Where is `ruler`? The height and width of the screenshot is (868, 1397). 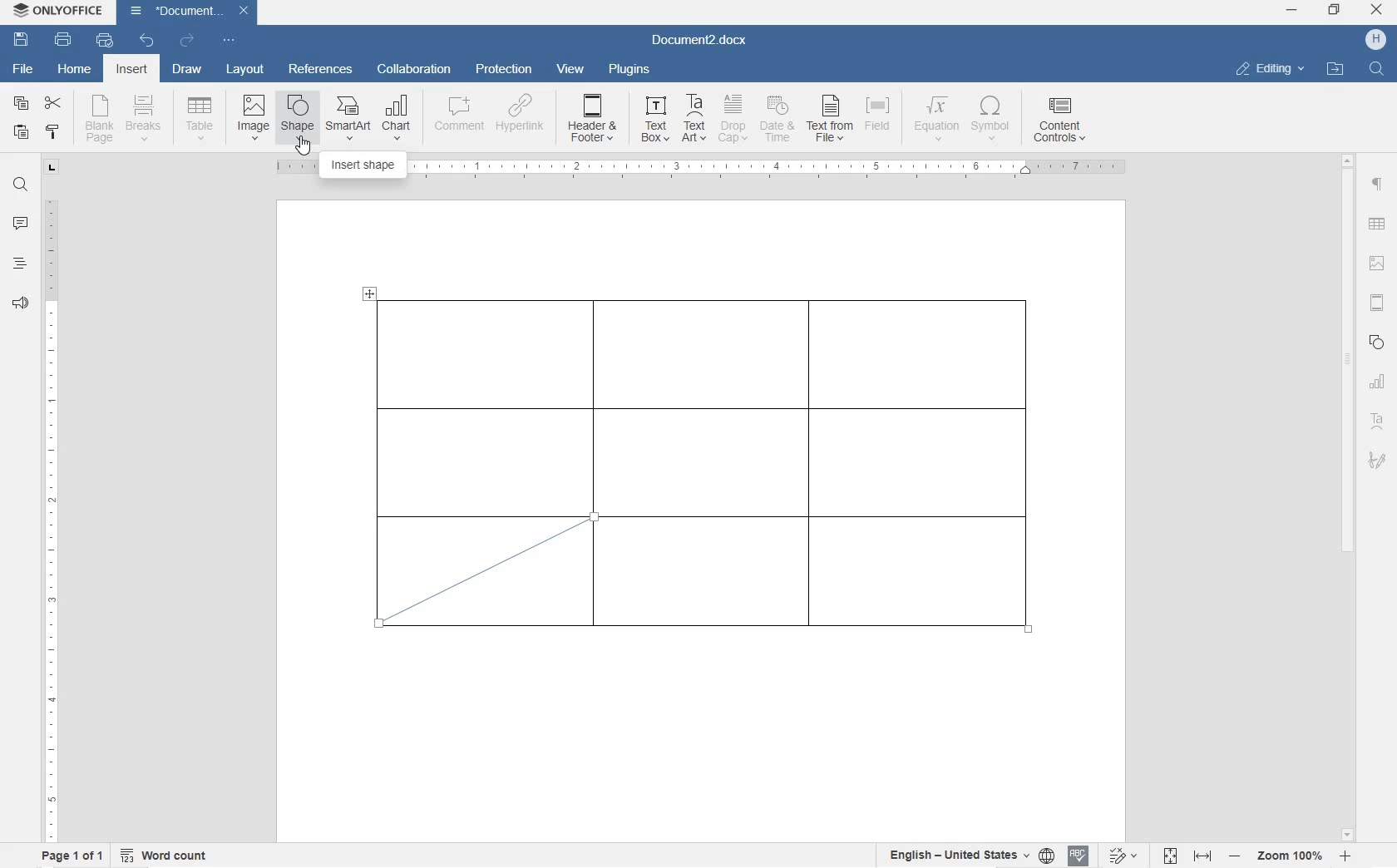
ruler is located at coordinates (51, 515).